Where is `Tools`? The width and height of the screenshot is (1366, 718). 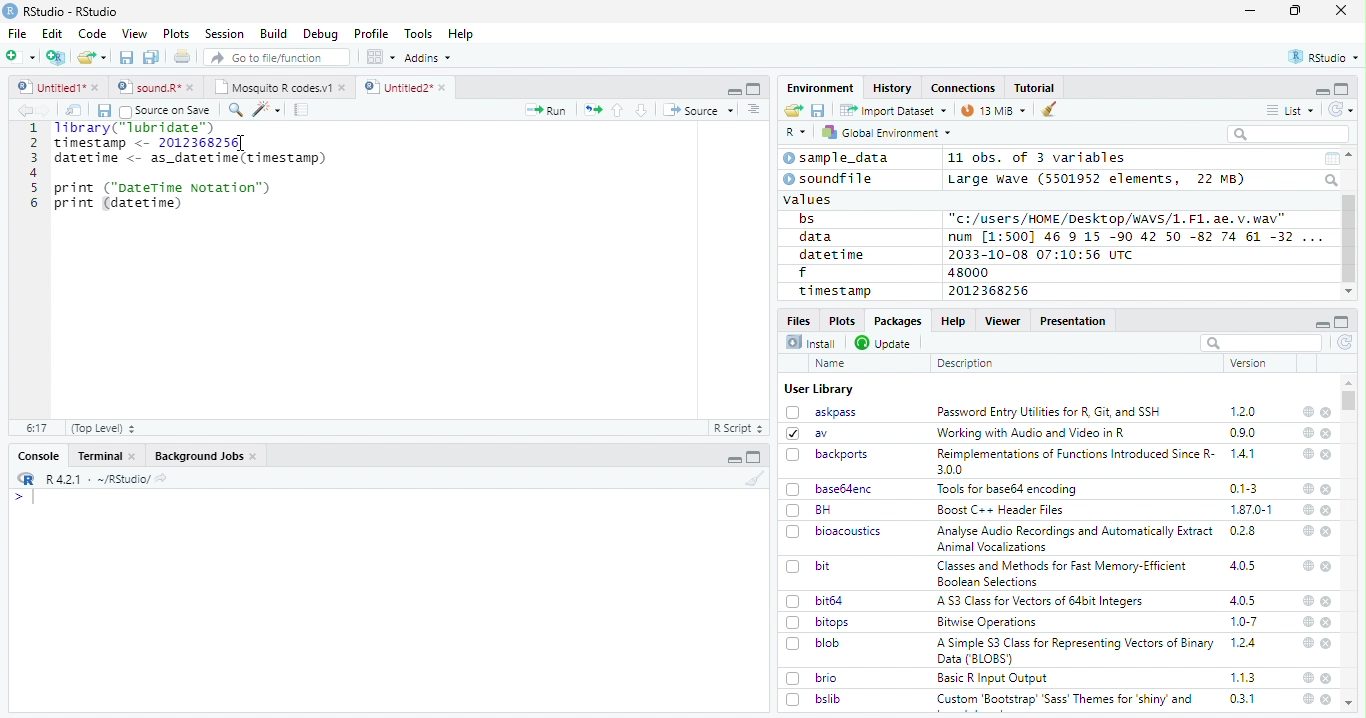
Tools is located at coordinates (417, 34).